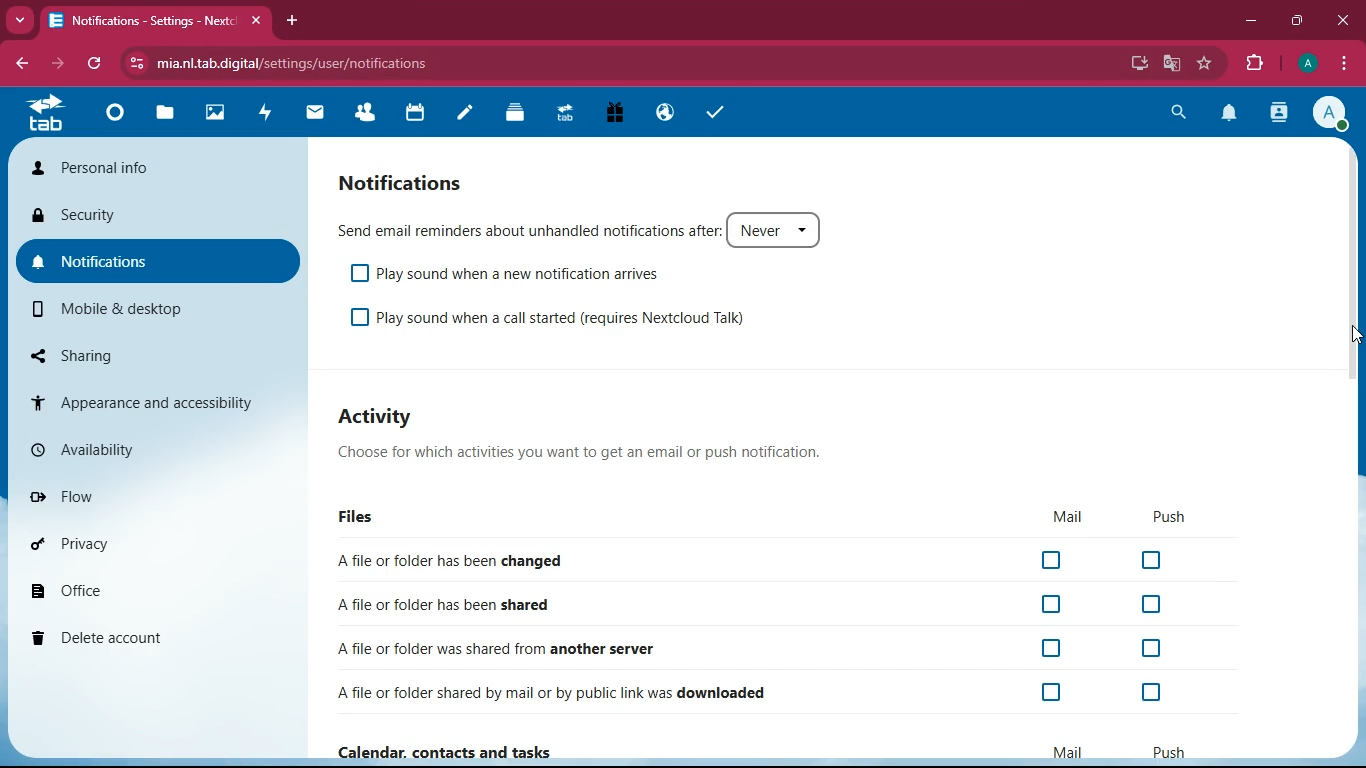  I want to click on Drop down, so click(809, 230).